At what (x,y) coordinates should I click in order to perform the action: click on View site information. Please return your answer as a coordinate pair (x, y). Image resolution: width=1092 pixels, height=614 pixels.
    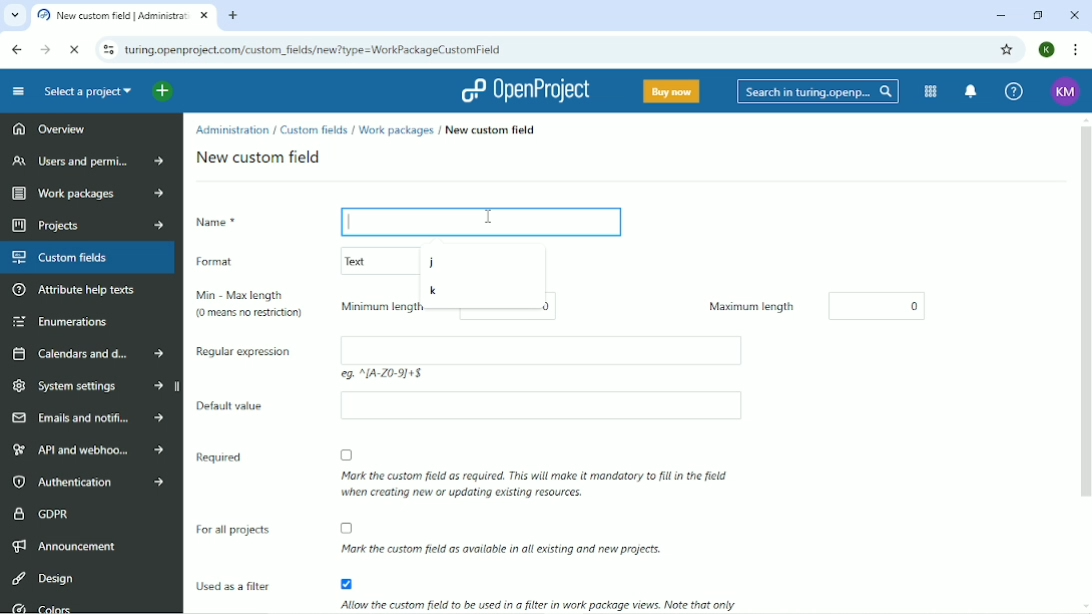
    Looking at the image, I should click on (107, 50).